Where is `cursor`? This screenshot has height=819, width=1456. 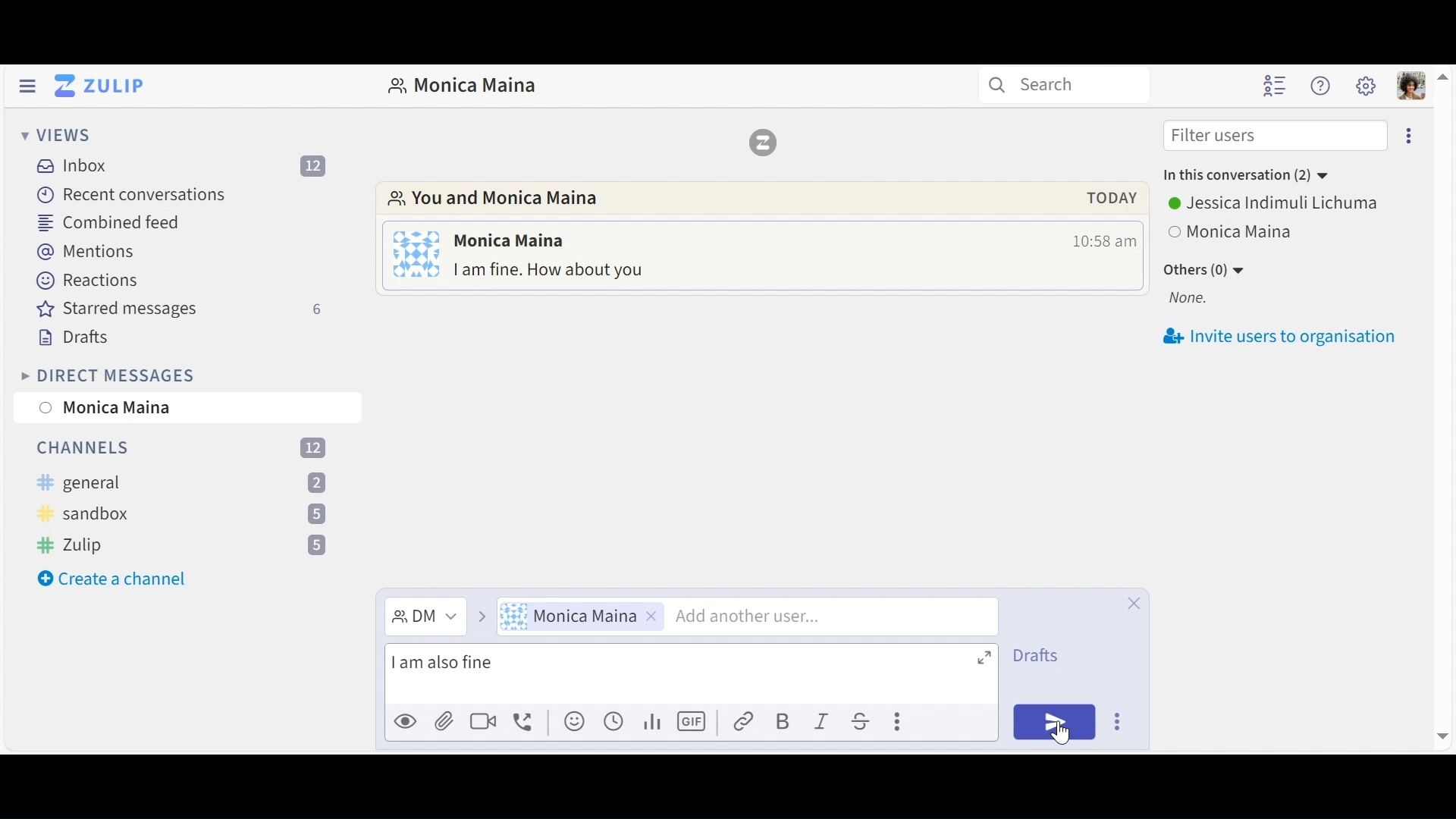
cursor is located at coordinates (1059, 733).